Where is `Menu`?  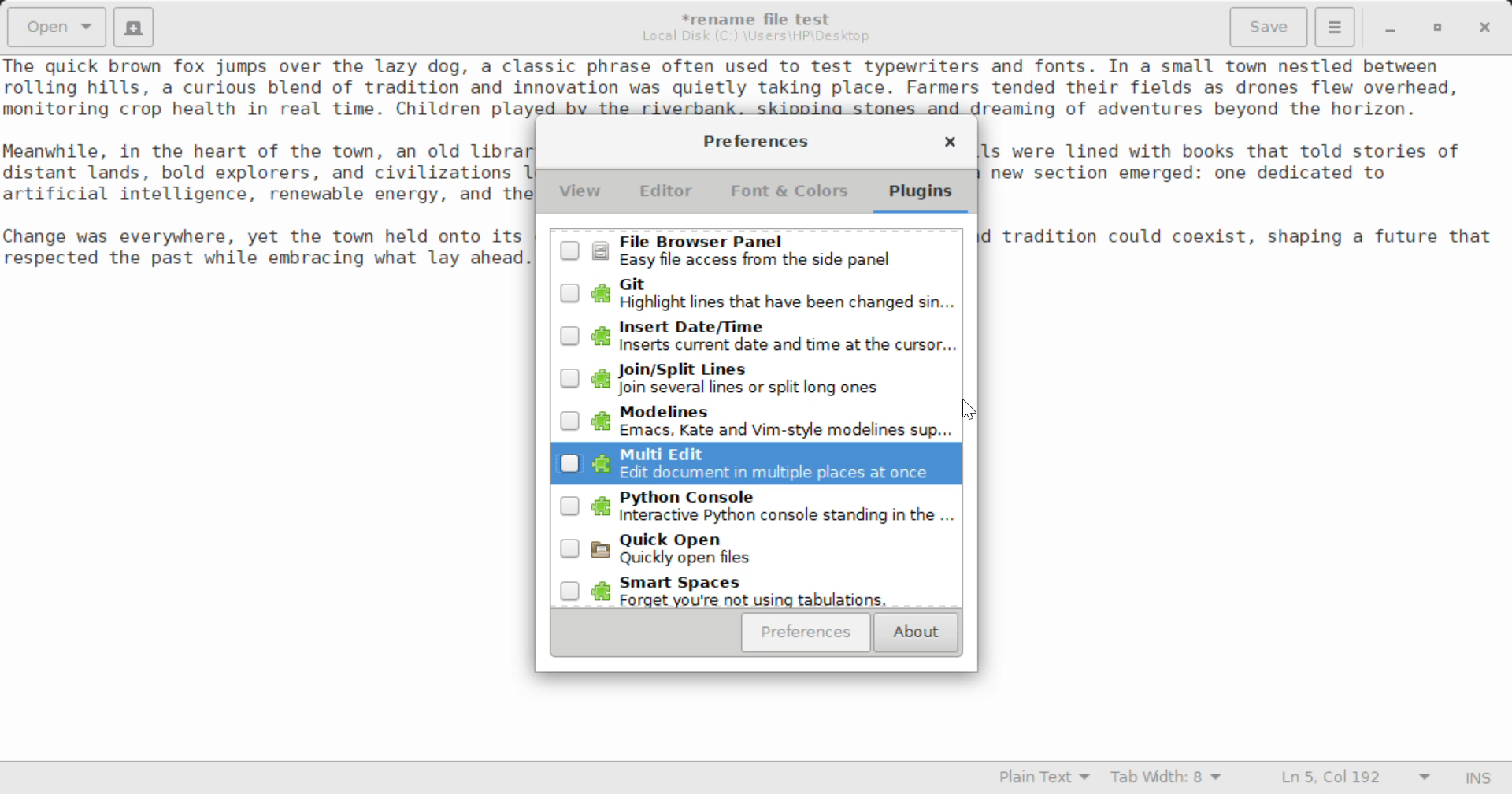 Menu is located at coordinates (1334, 25).